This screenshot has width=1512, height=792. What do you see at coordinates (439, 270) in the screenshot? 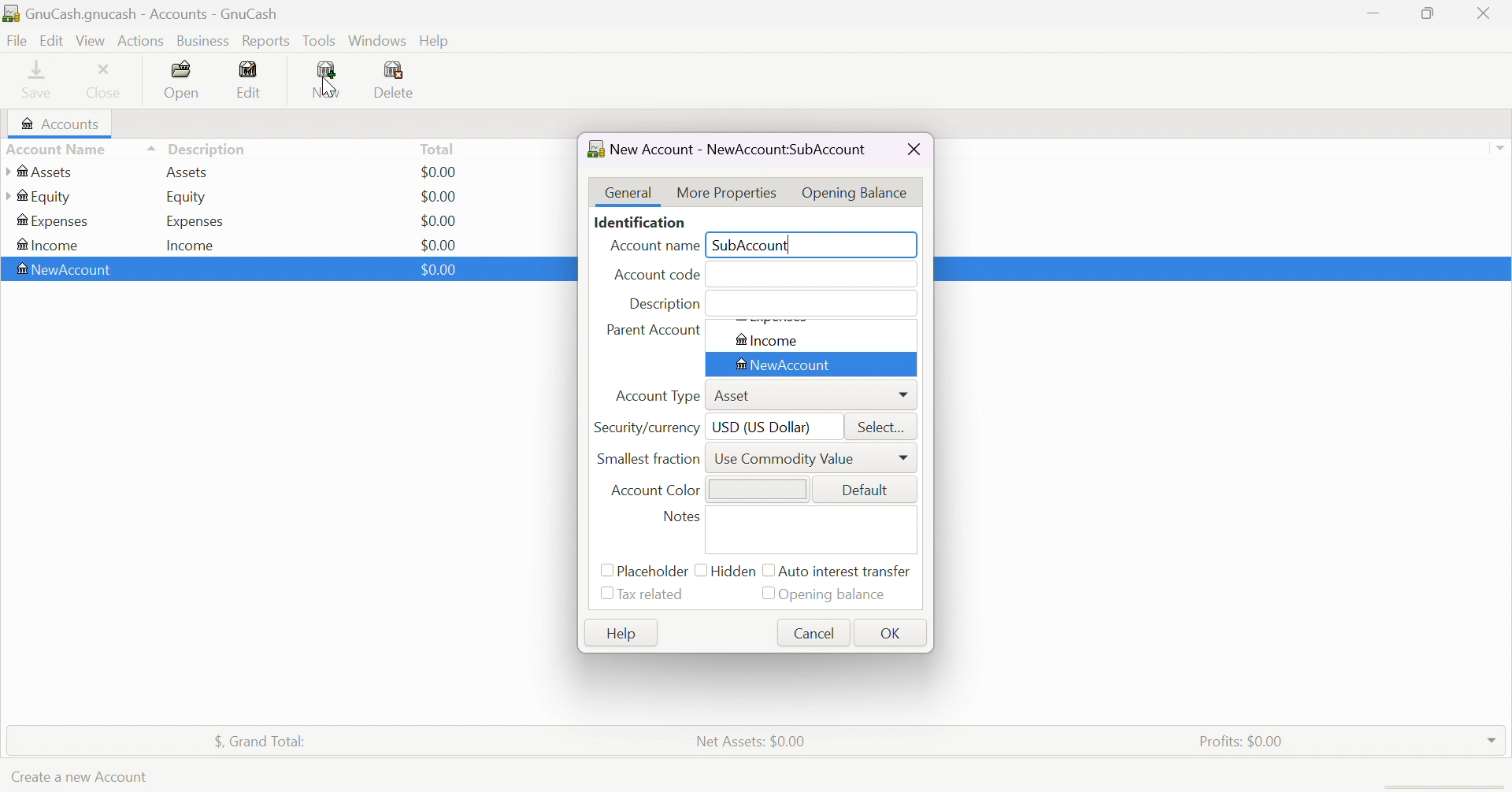
I see `$0.00` at bounding box center [439, 270].